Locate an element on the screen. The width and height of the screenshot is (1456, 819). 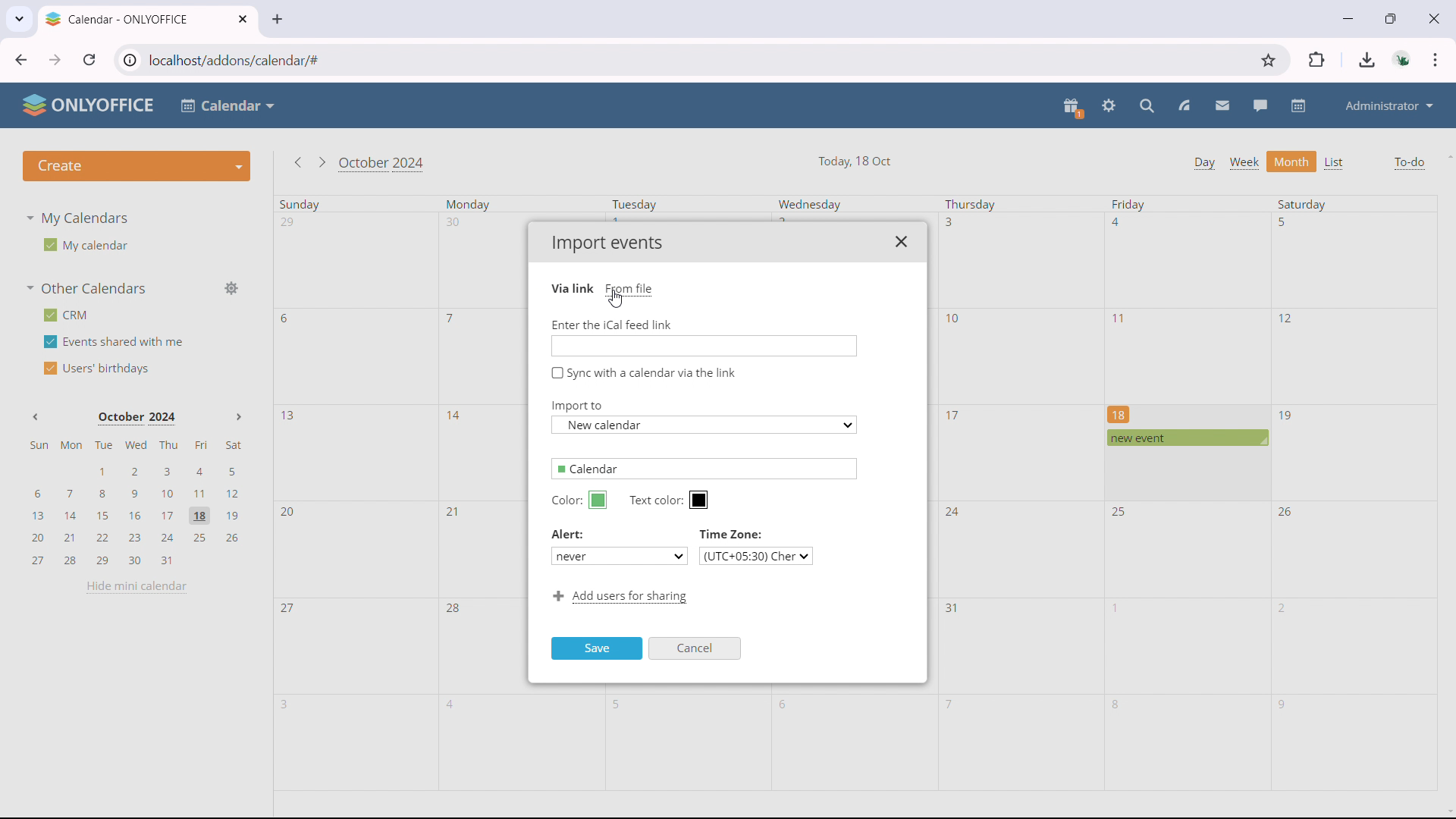
calendar is located at coordinates (1300, 105).